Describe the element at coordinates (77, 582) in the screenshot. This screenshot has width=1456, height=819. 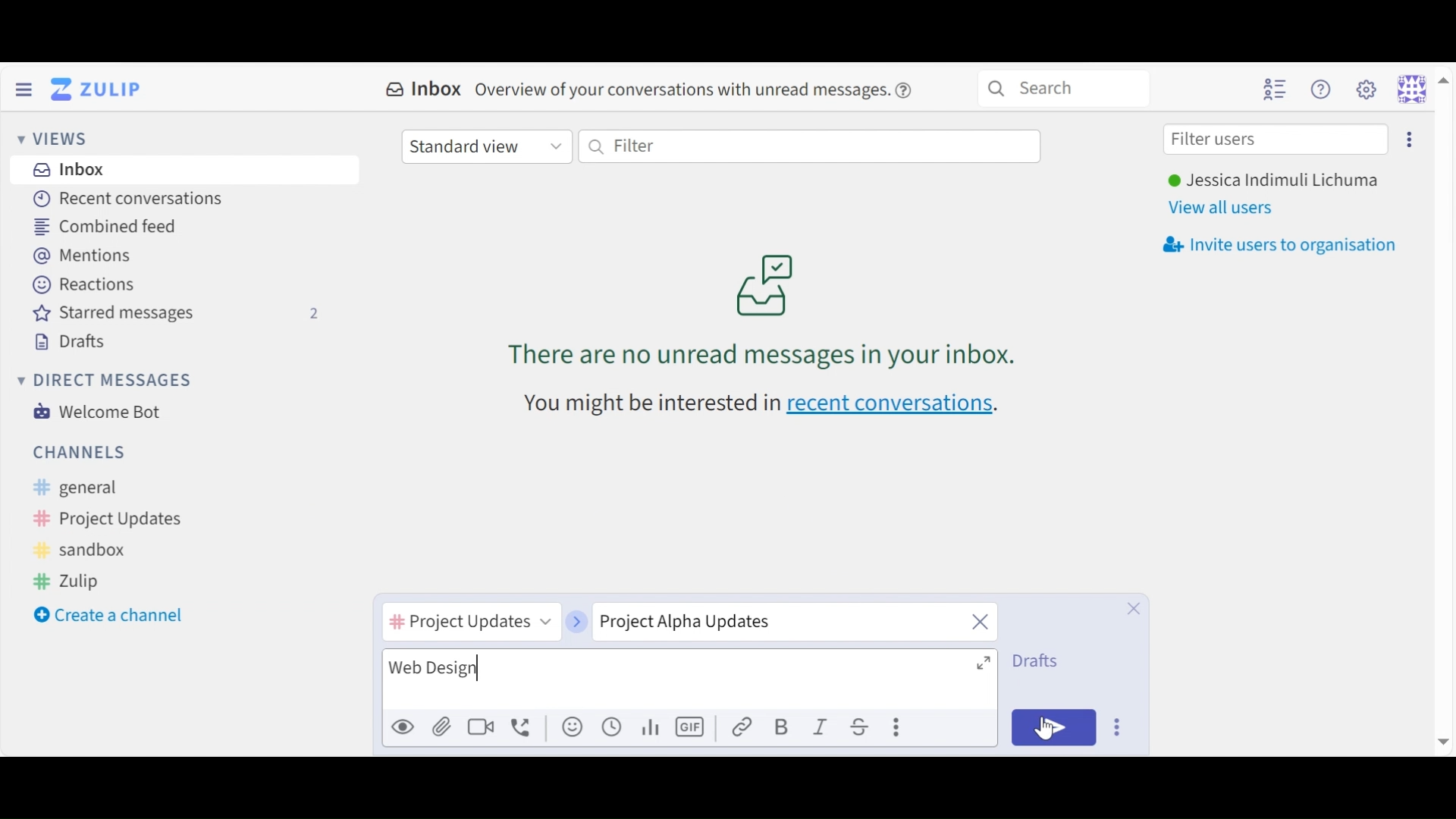
I see `Zulip Channel` at that location.